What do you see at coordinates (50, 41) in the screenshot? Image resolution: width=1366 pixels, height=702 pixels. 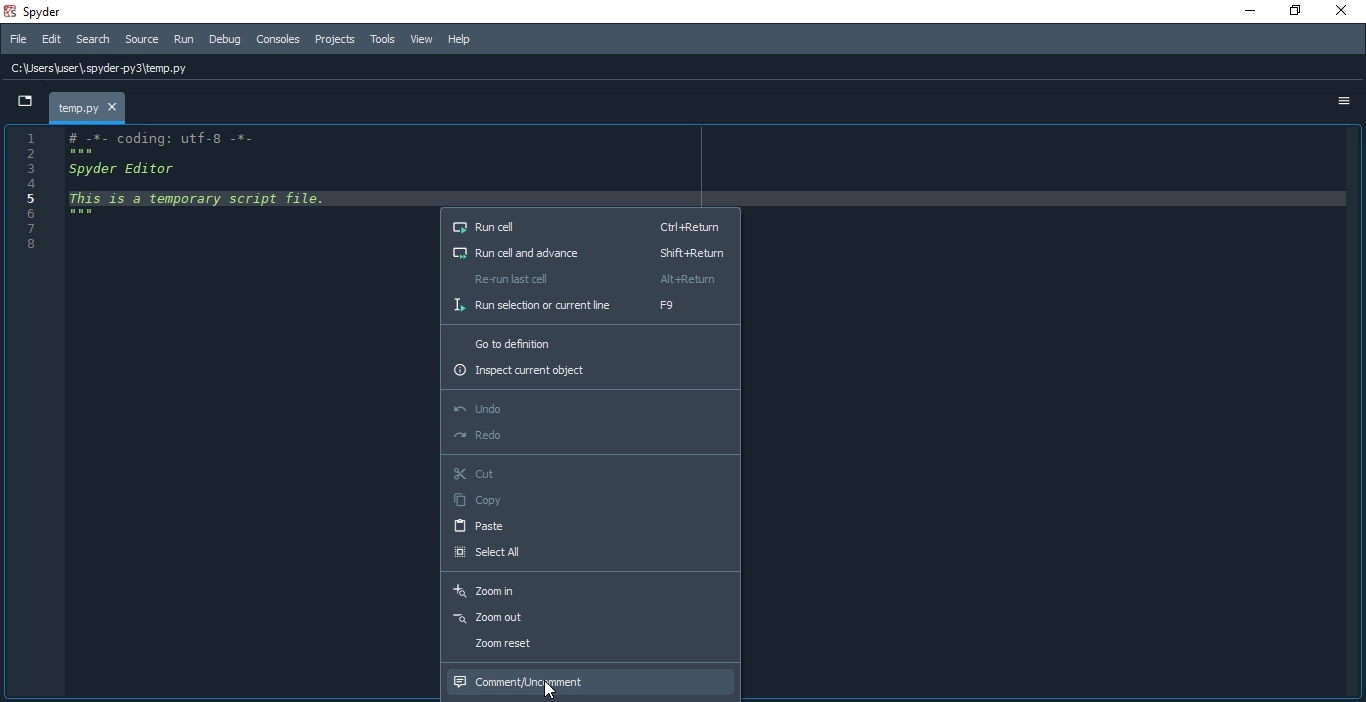 I see `Edit` at bounding box center [50, 41].